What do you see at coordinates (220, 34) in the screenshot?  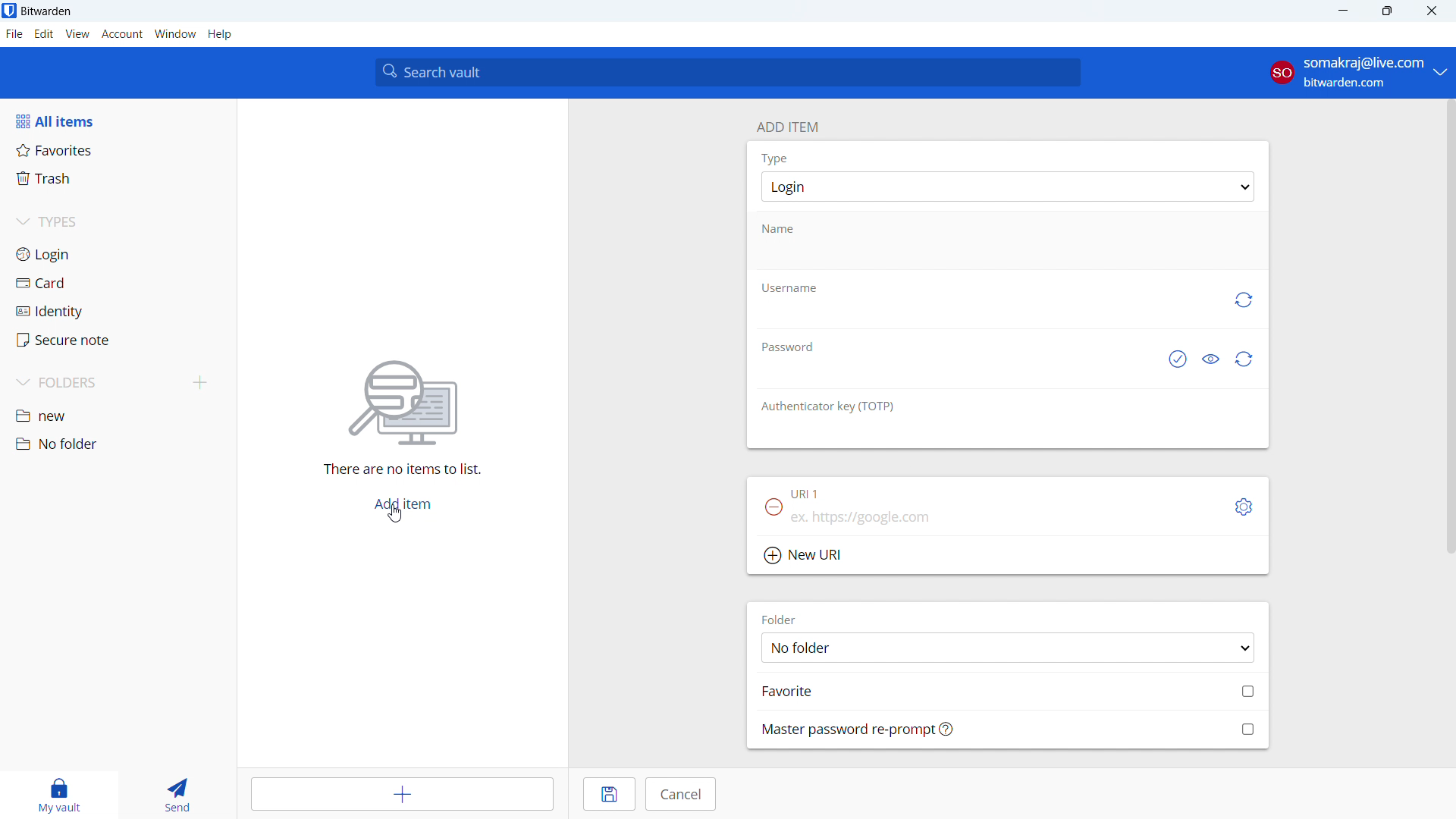 I see `help` at bounding box center [220, 34].